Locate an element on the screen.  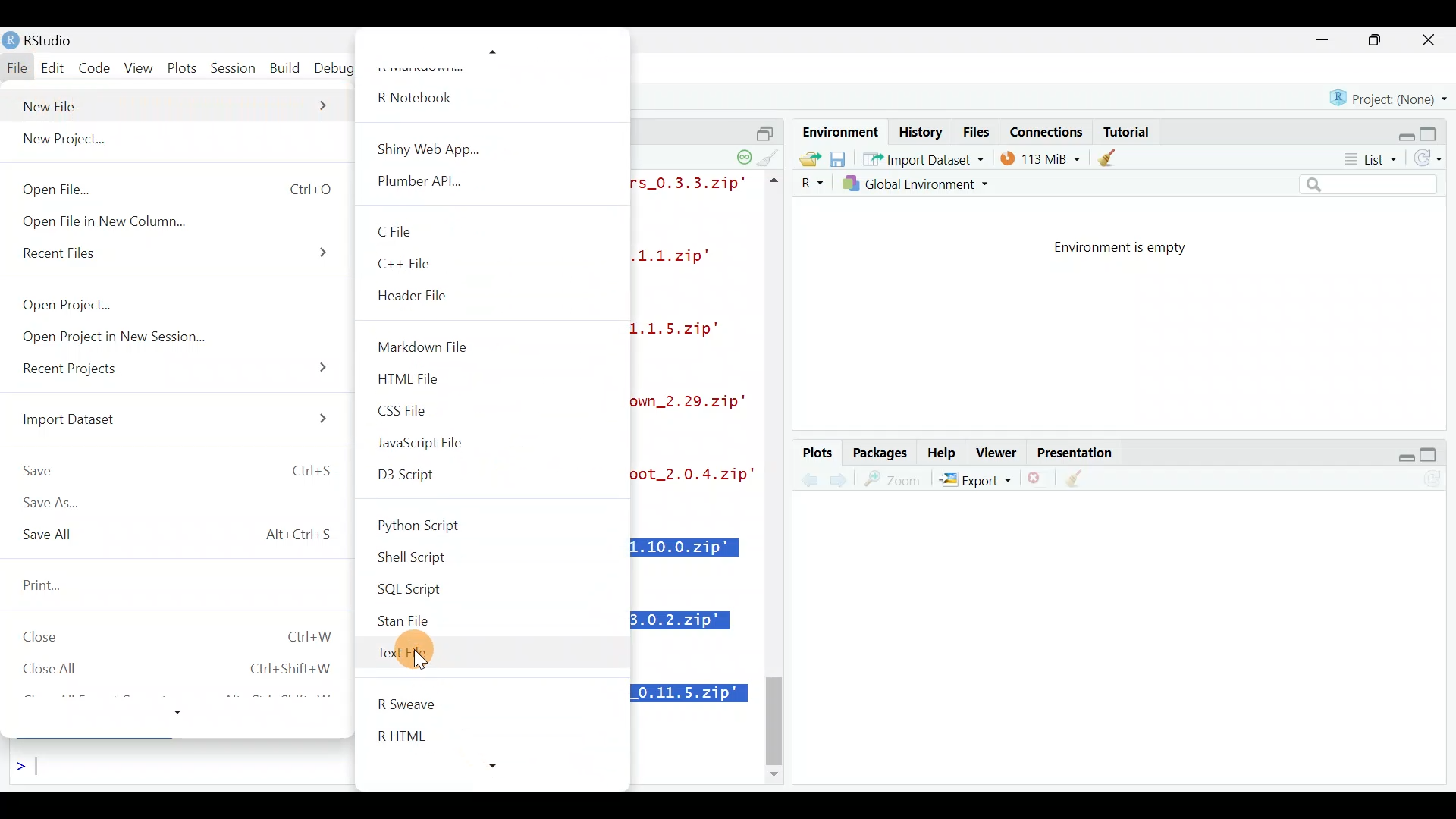
Header File is located at coordinates (424, 299).